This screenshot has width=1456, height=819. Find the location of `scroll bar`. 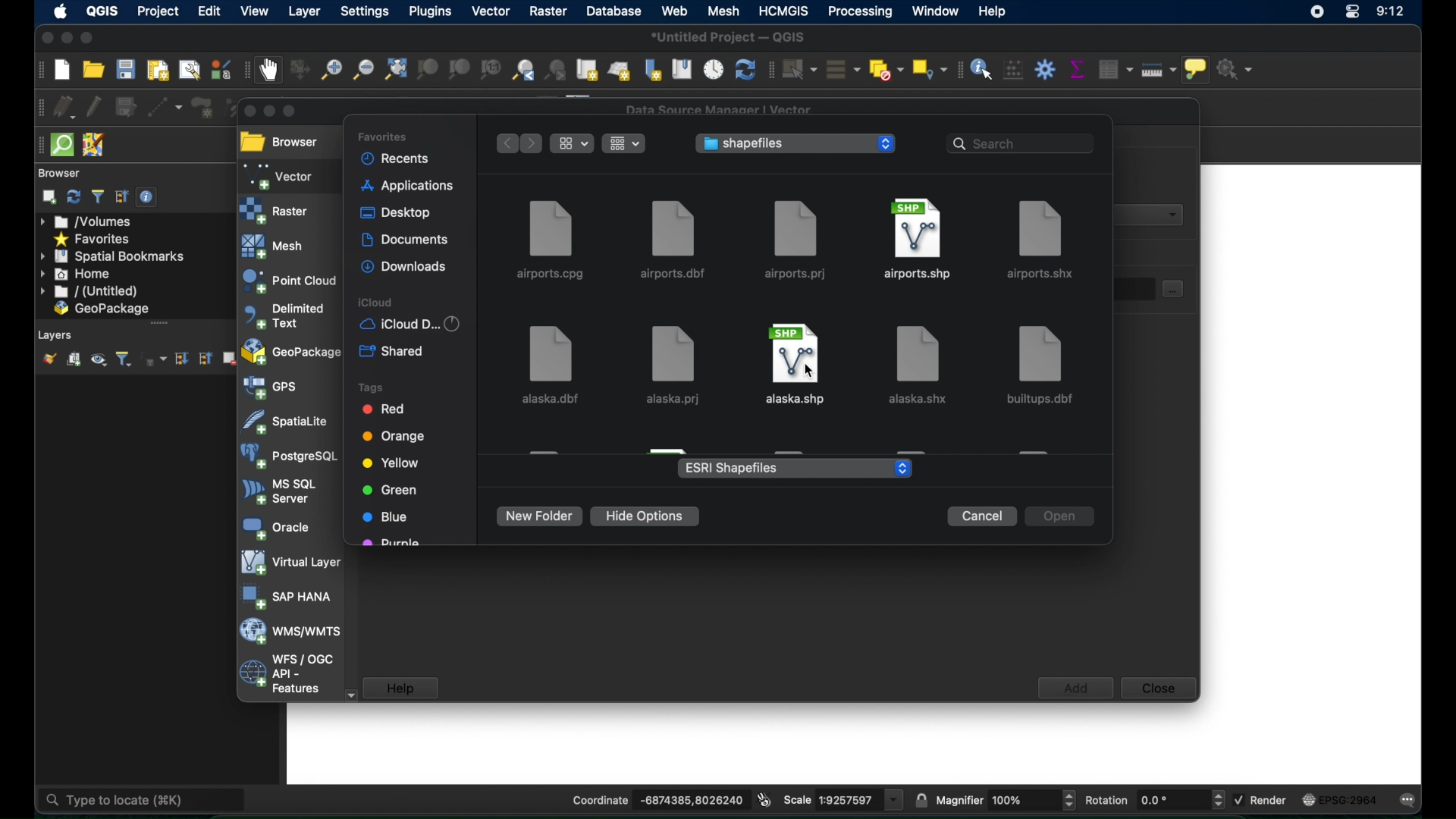

scroll bar is located at coordinates (155, 324).